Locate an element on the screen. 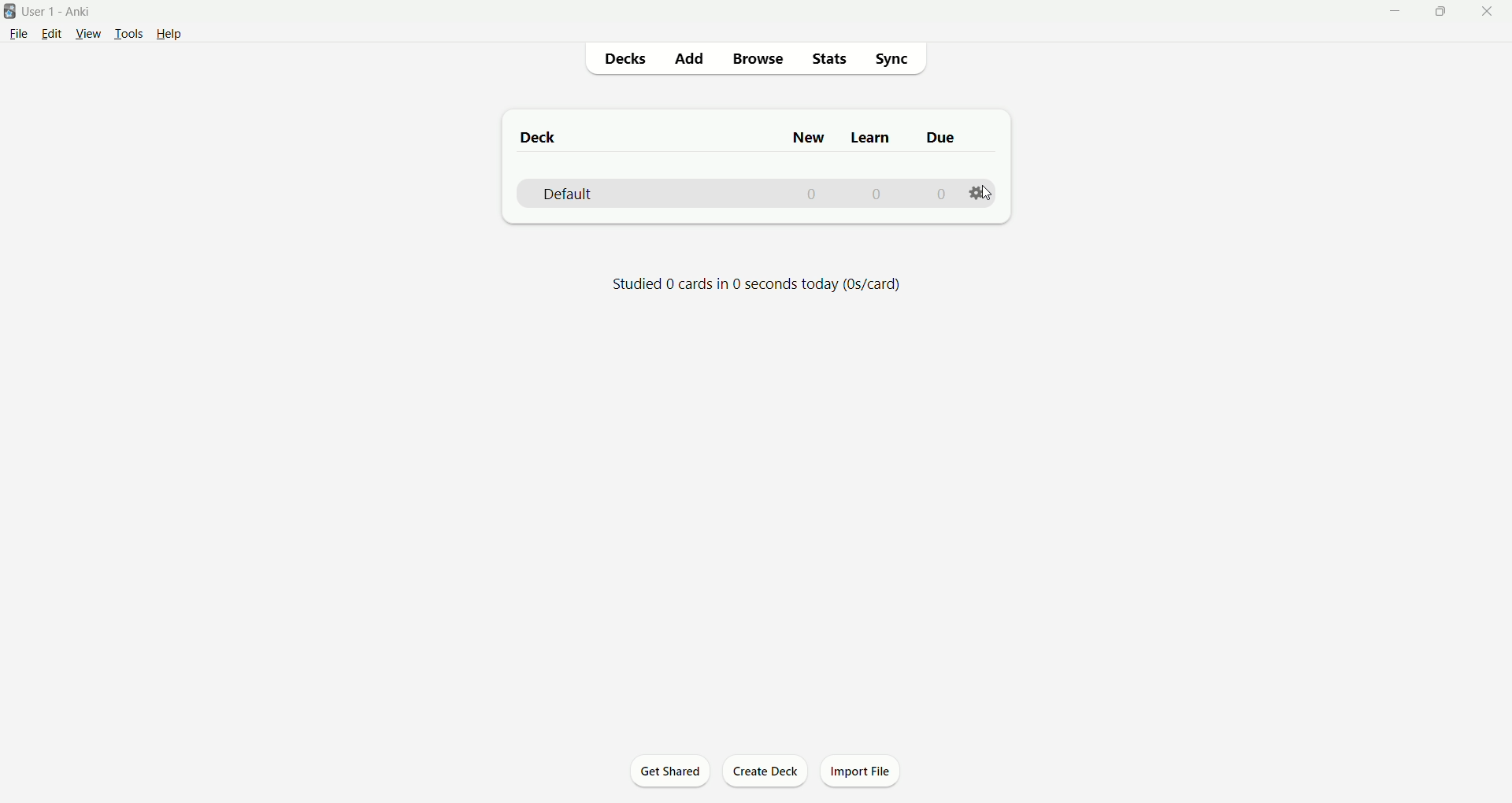 The image size is (1512, 803). close is located at coordinates (1488, 13).